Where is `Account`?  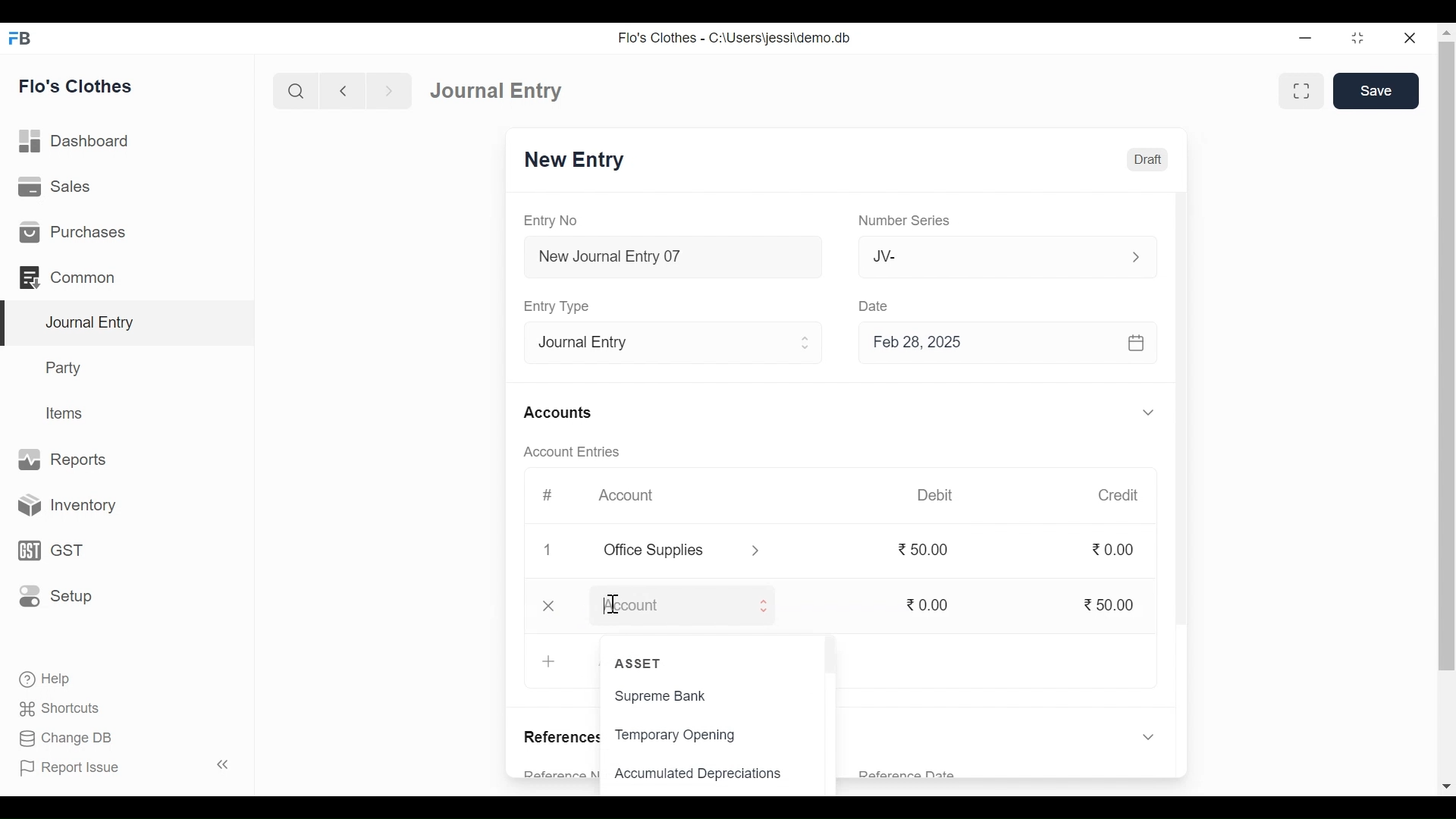 Account is located at coordinates (635, 493).